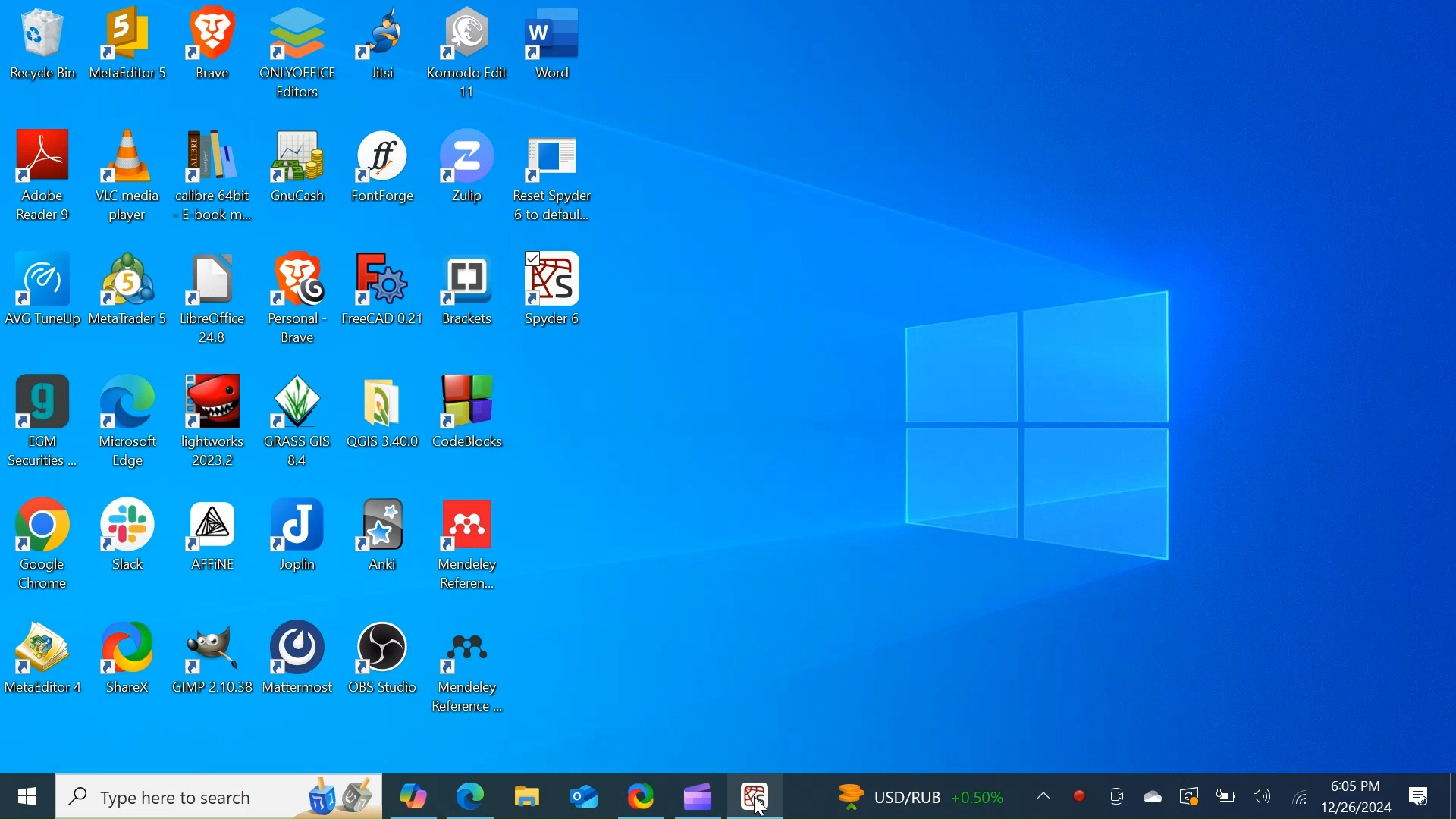 The image size is (1456, 819). What do you see at coordinates (42, 177) in the screenshot?
I see `Adobe Reader Desktop Icon` at bounding box center [42, 177].